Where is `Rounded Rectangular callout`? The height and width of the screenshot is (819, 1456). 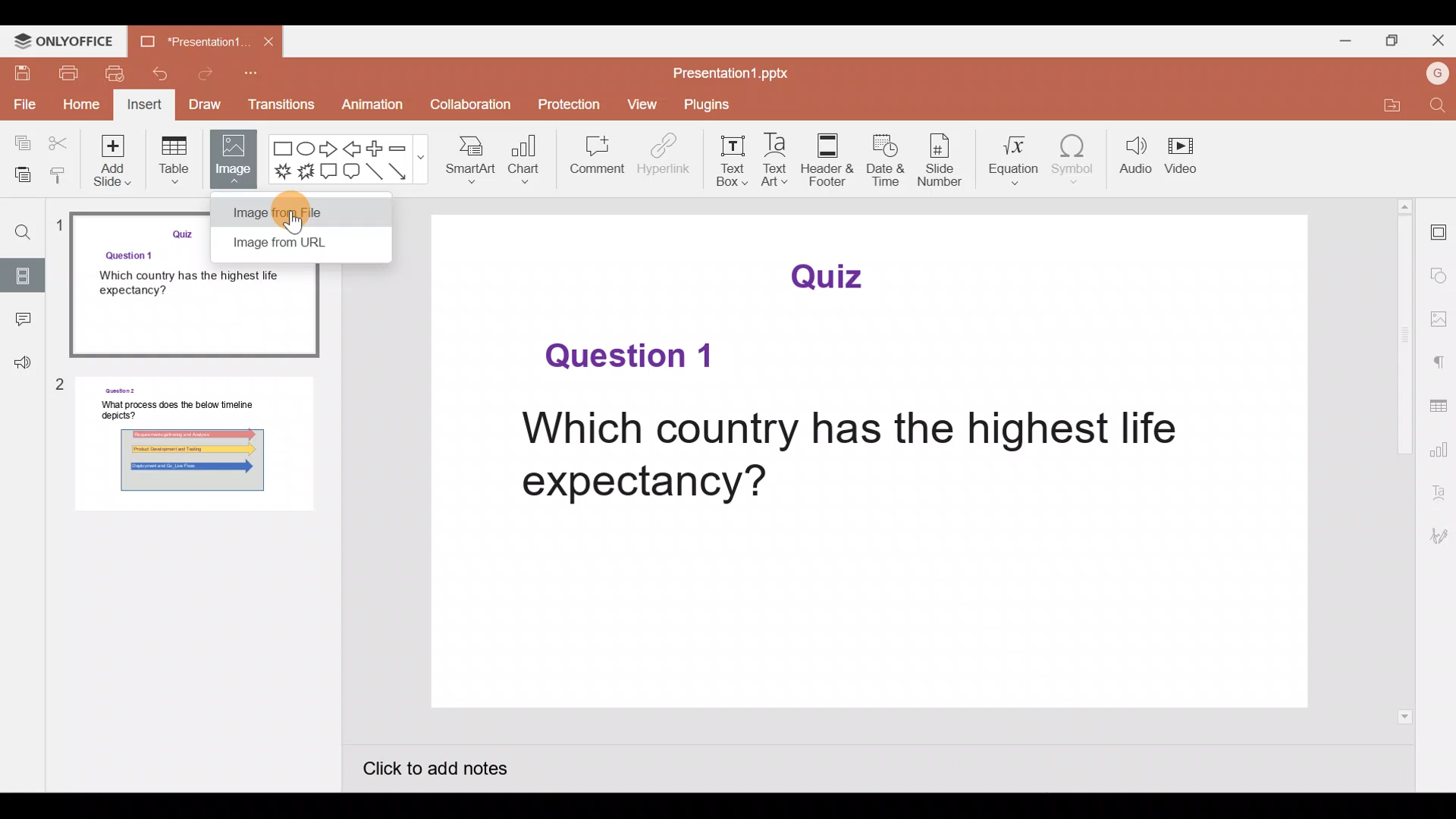
Rounded Rectangular callout is located at coordinates (355, 173).